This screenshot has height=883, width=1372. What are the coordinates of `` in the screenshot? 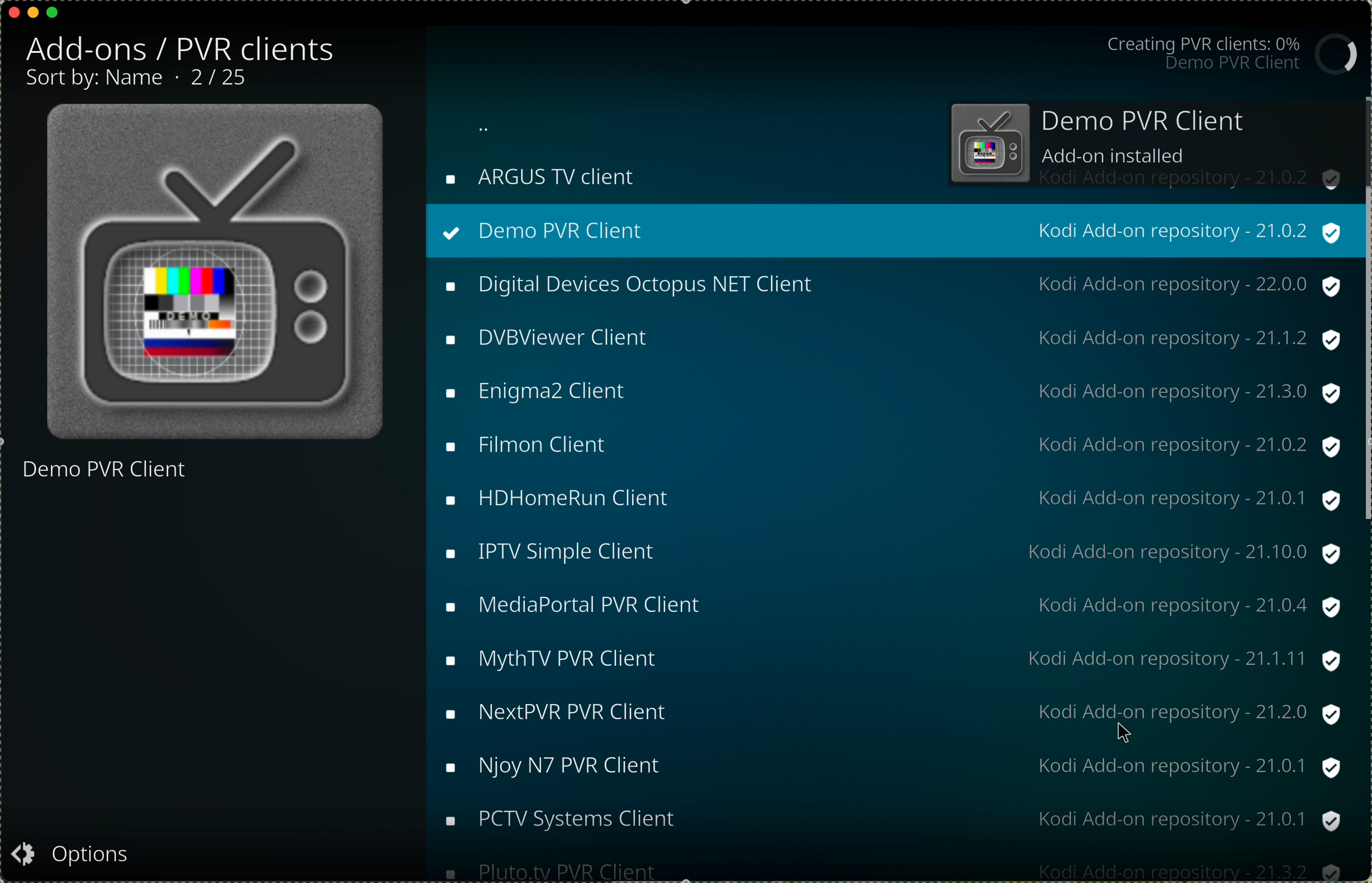 It's located at (886, 867).